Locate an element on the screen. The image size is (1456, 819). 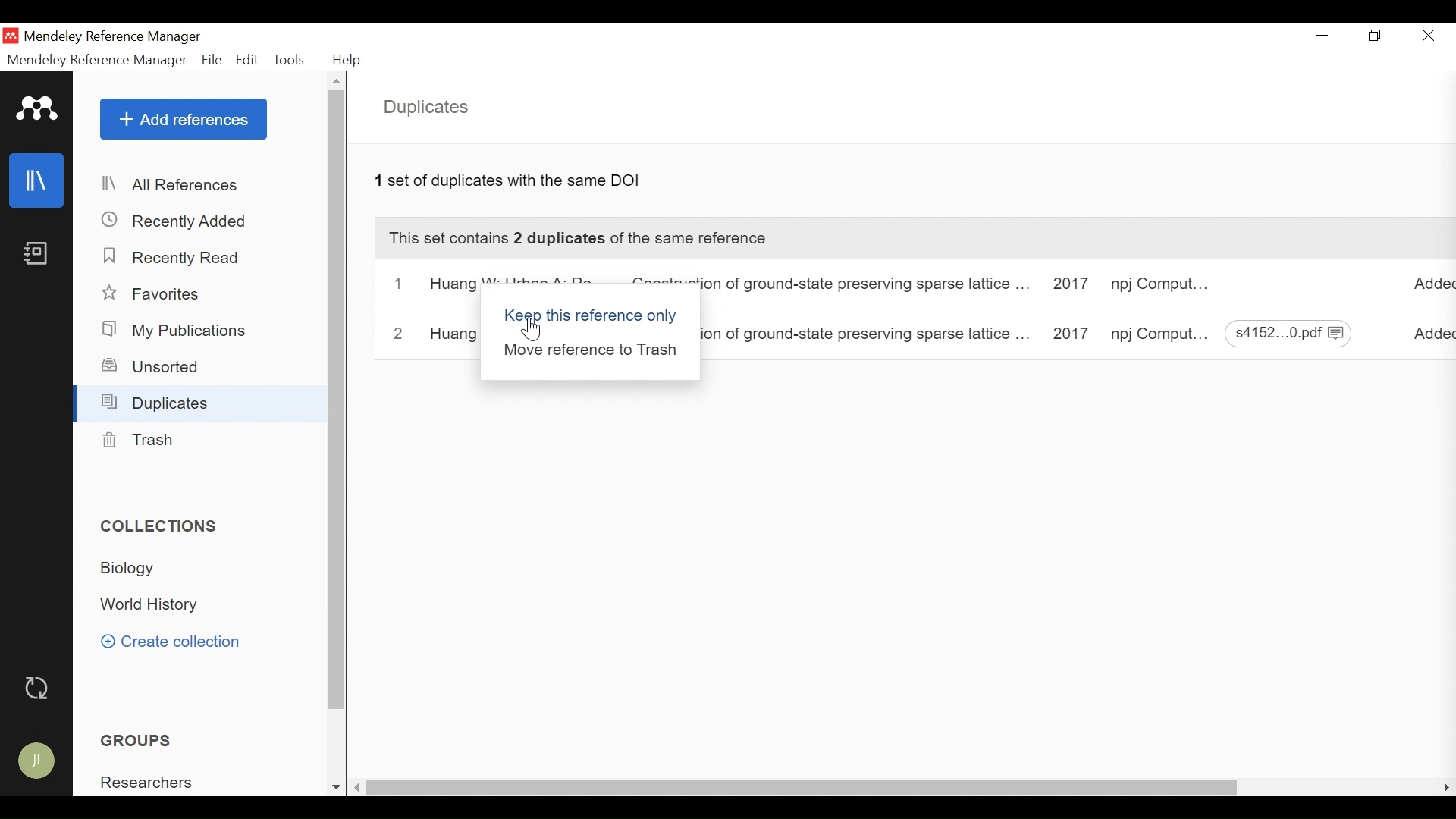
Journal: Computational is located at coordinates (1162, 334).